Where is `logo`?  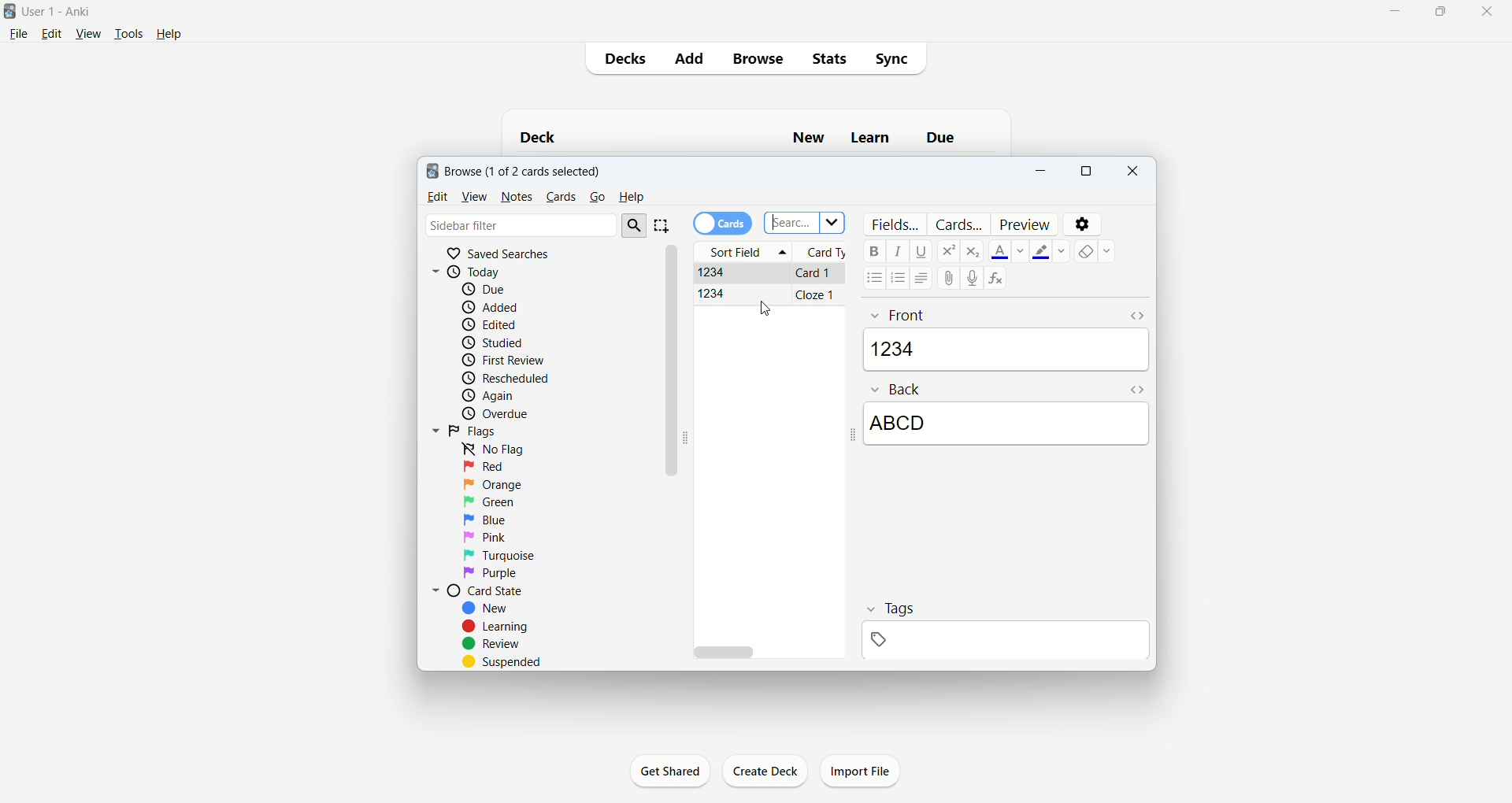
logo is located at coordinates (431, 172).